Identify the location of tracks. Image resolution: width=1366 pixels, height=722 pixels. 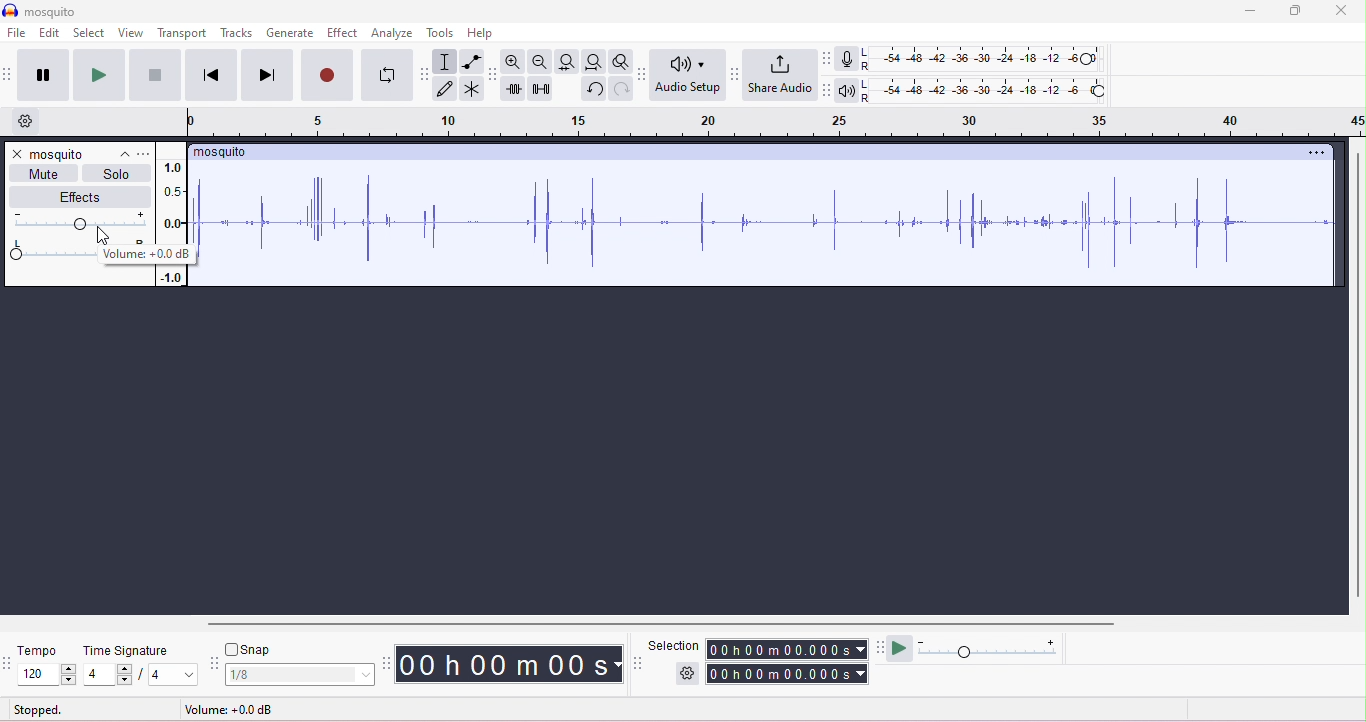
(237, 34).